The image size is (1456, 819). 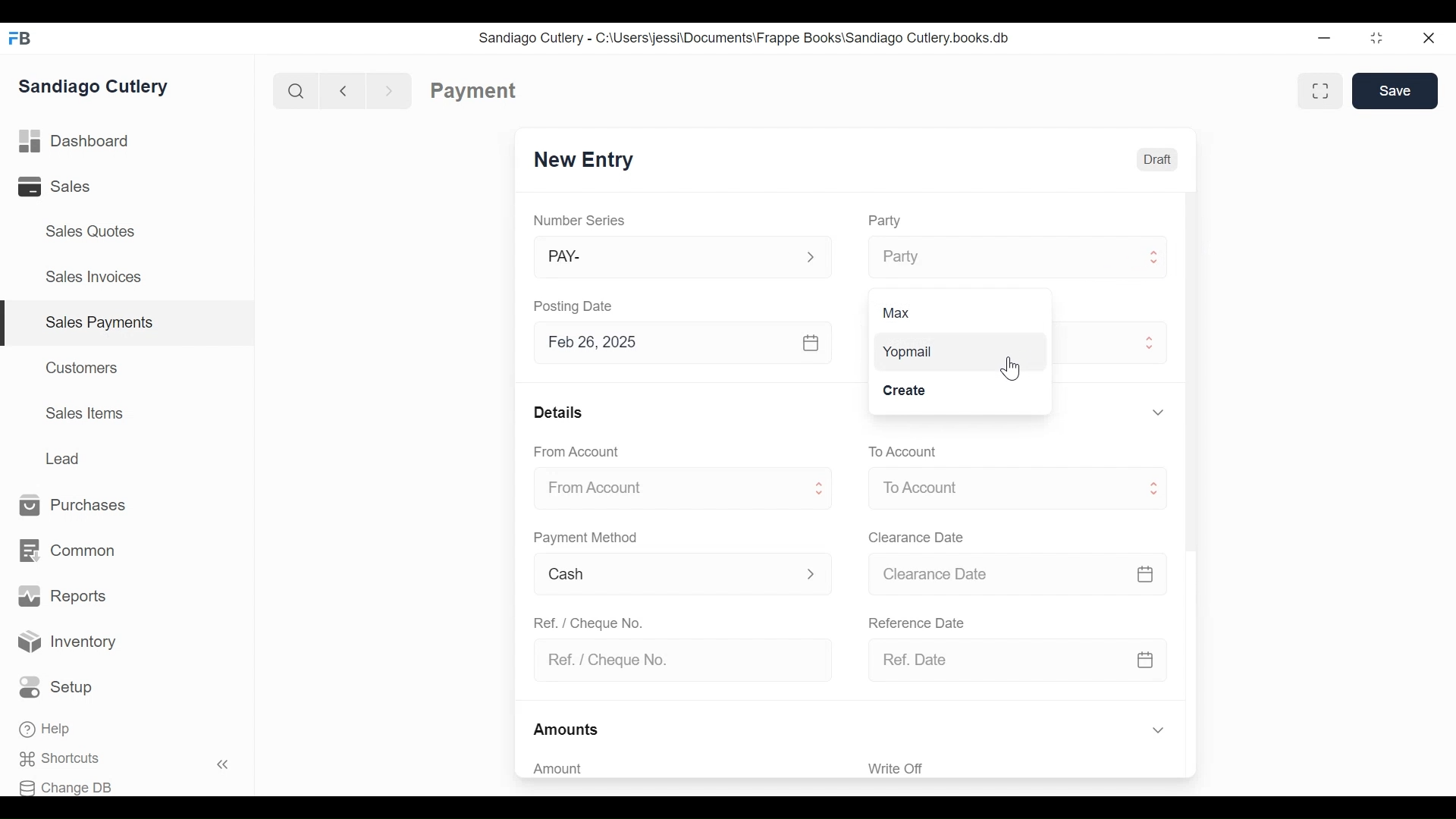 I want to click on Sales, so click(x=65, y=187).